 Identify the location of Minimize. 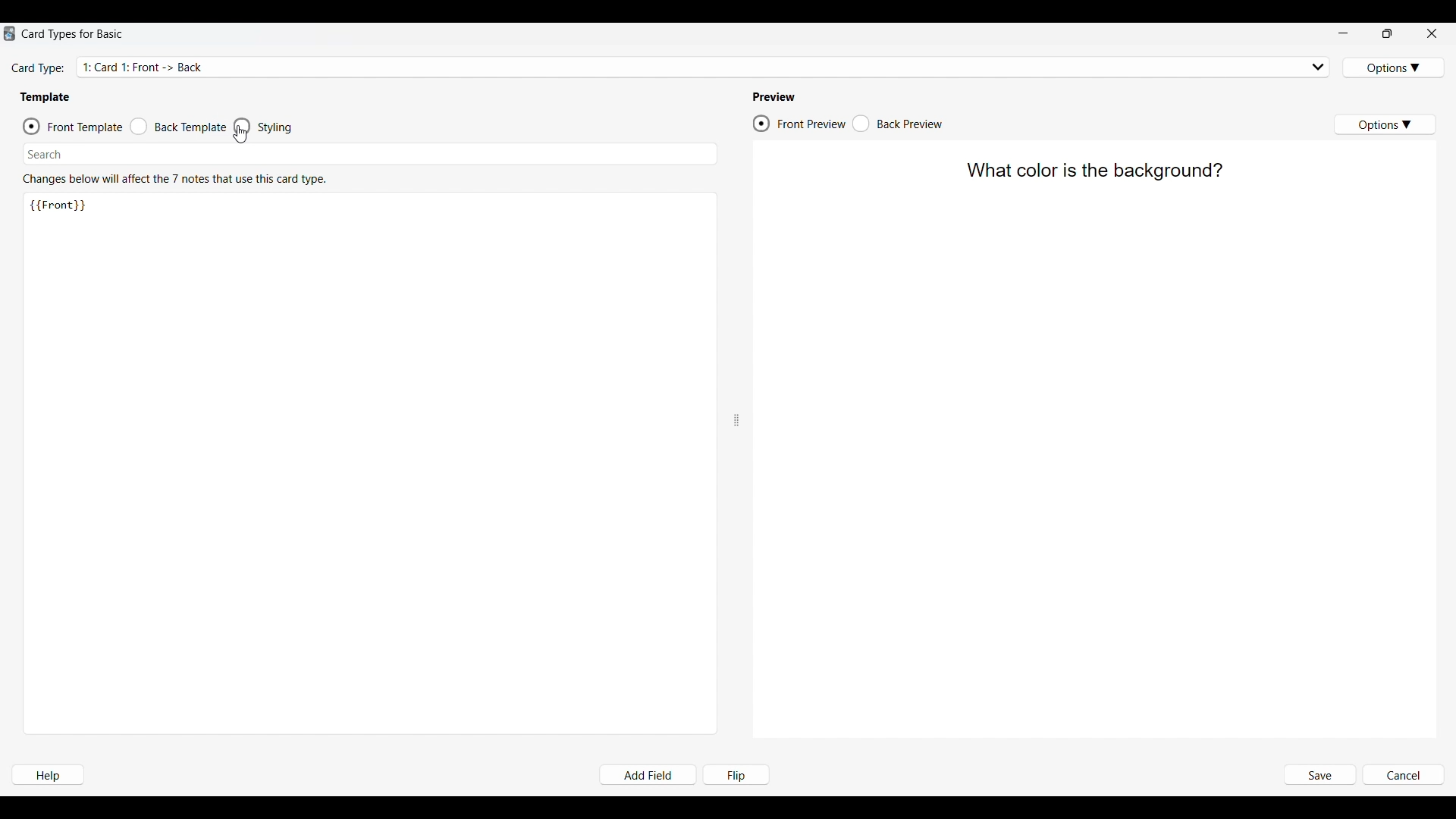
(1343, 33).